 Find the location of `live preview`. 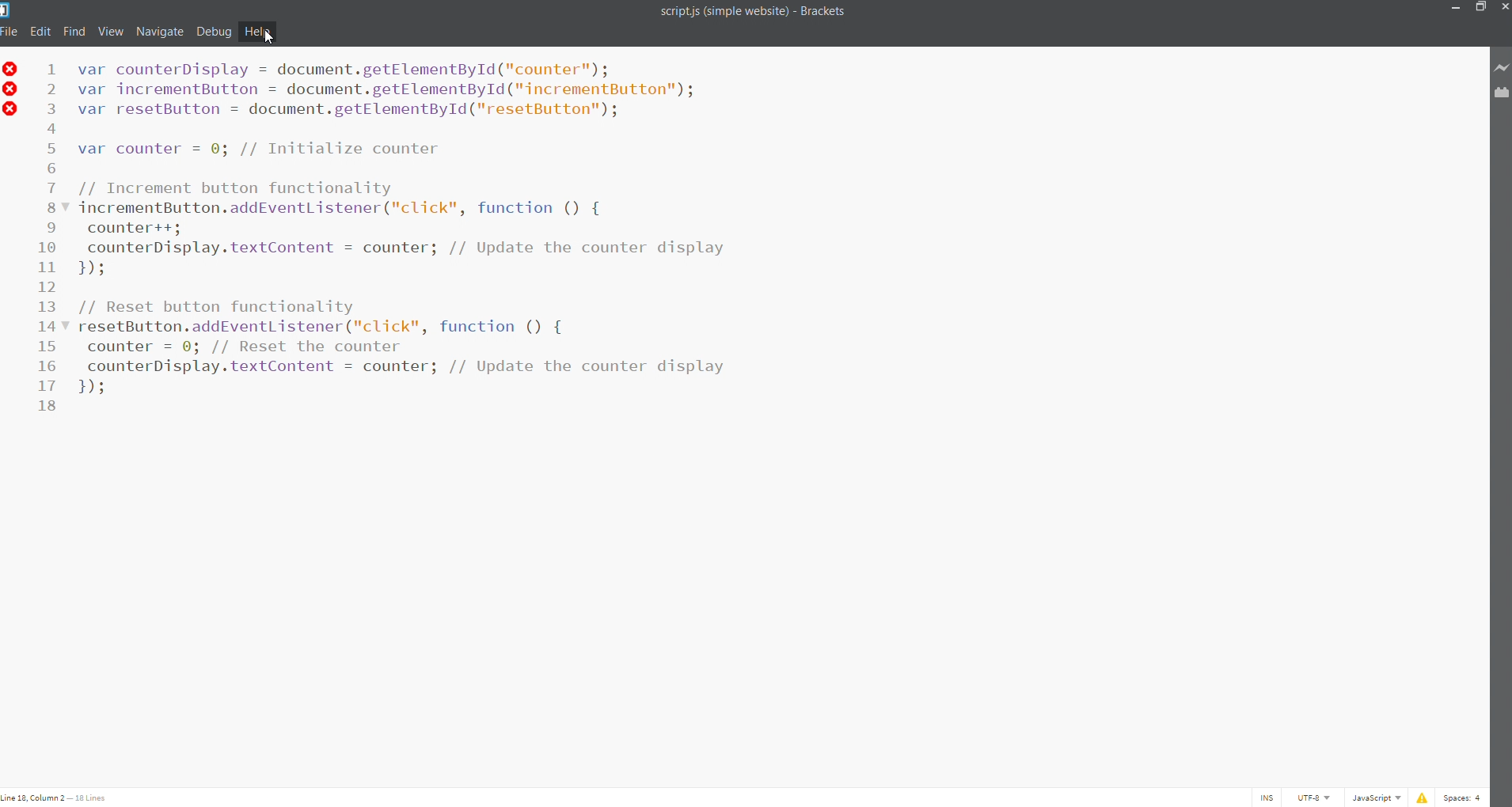

live preview is located at coordinates (1503, 66).